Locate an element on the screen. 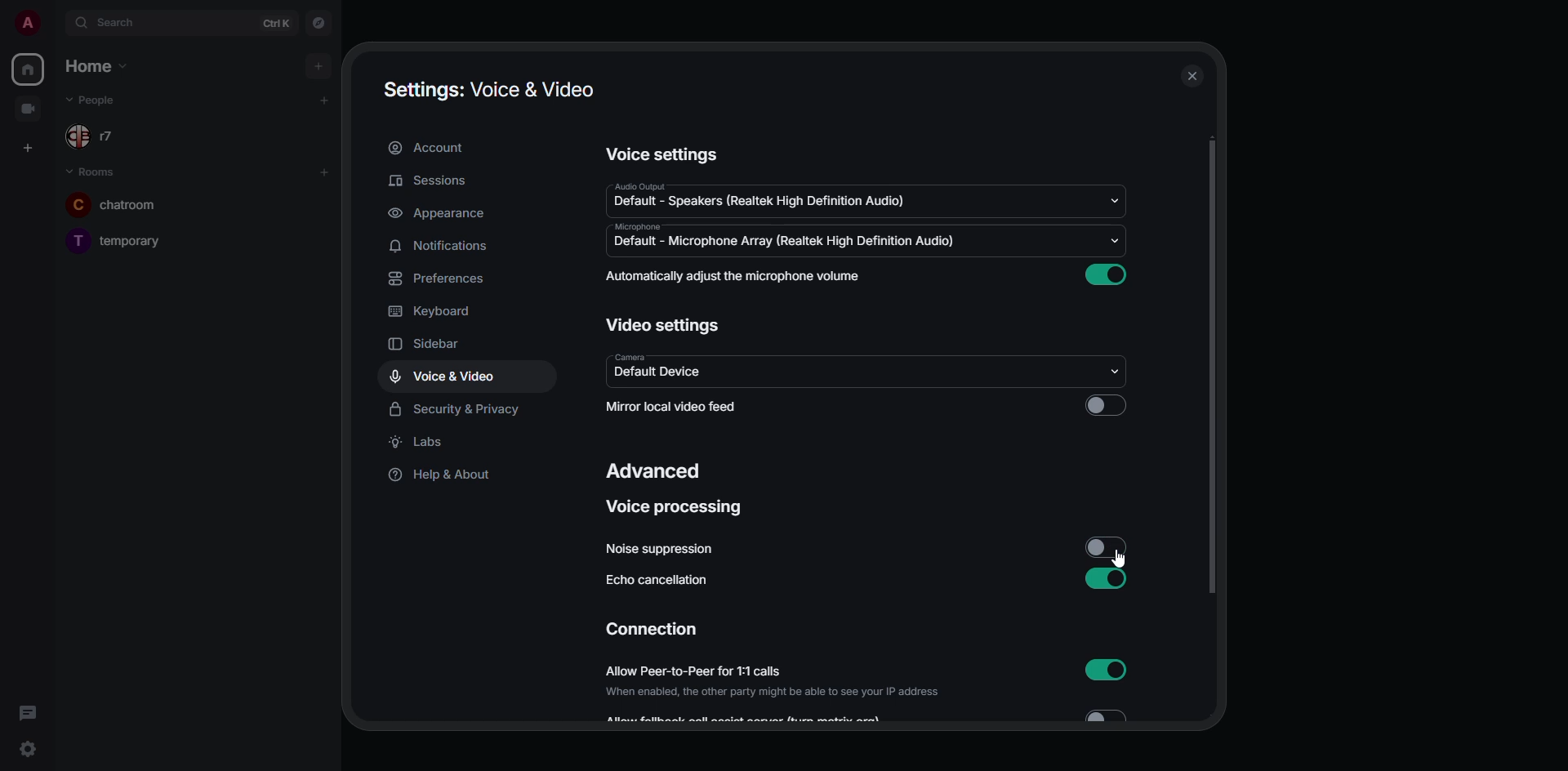 Image resolution: width=1568 pixels, height=771 pixels. scroll bar is located at coordinates (1212, 368).